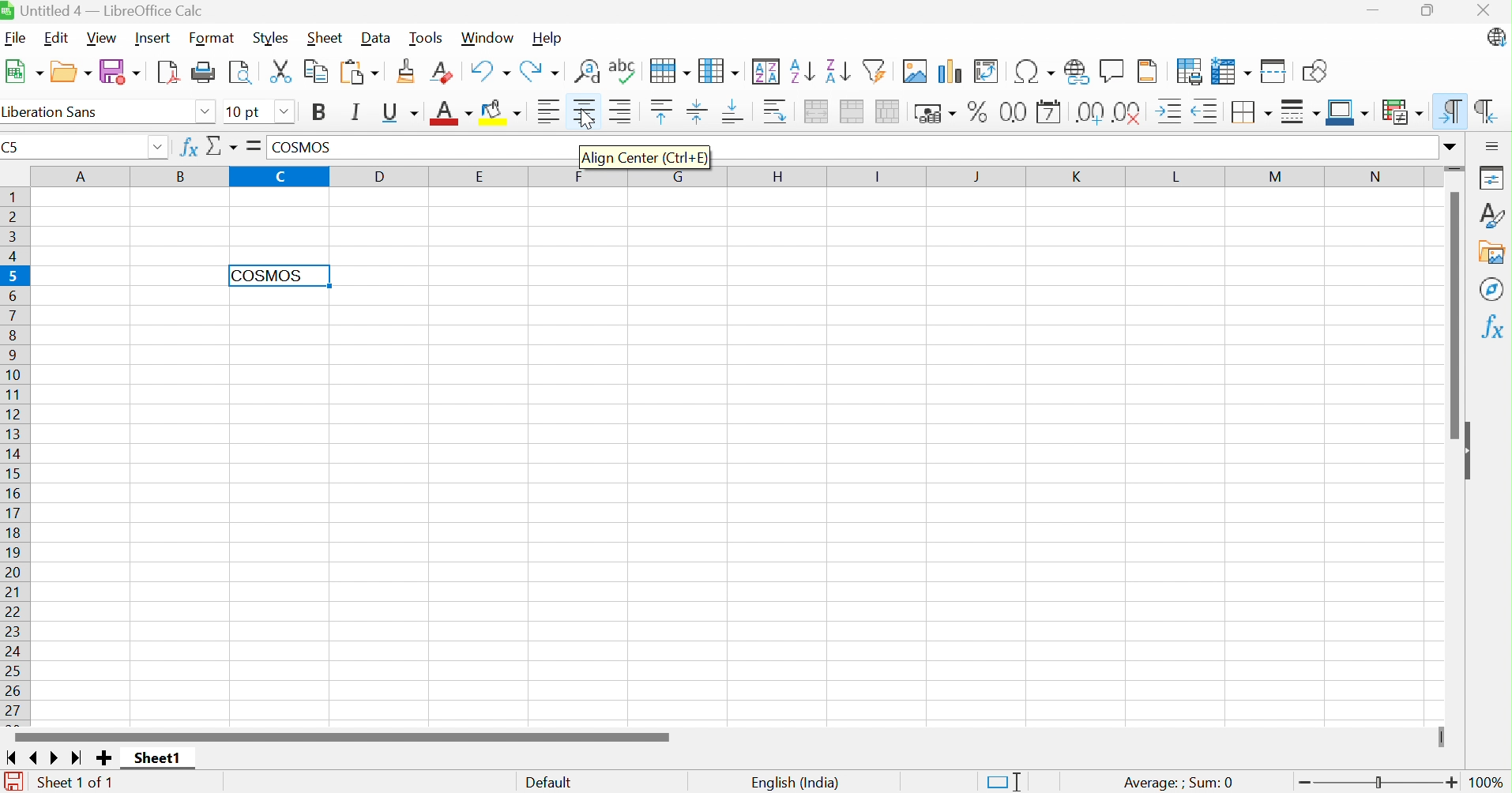 The width and height of the screenshot is (1512, 793). I want to click on Scroll to Next Sheet, so click(55, 758).